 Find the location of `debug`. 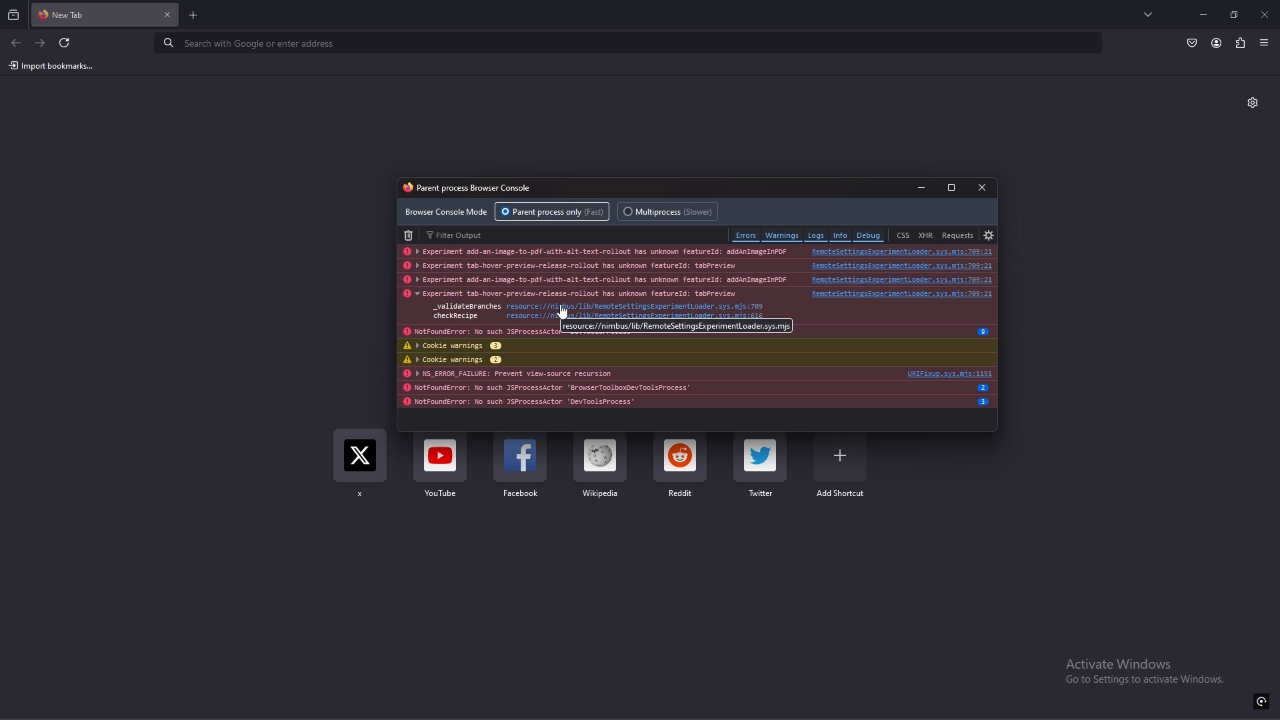

debug is located at coordinates (869, 236).